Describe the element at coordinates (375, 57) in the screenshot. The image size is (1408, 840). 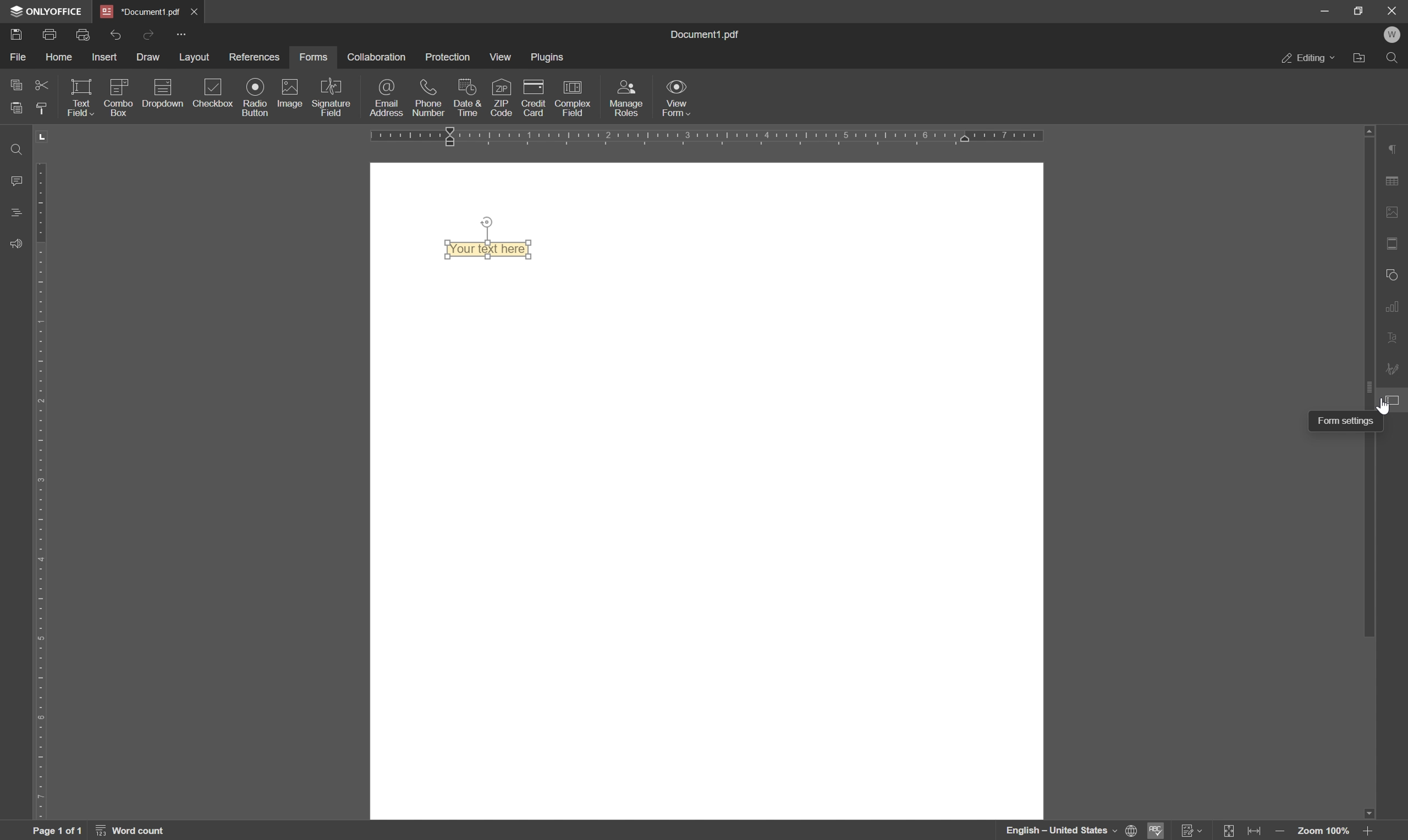
I see `collaboration` at that location.